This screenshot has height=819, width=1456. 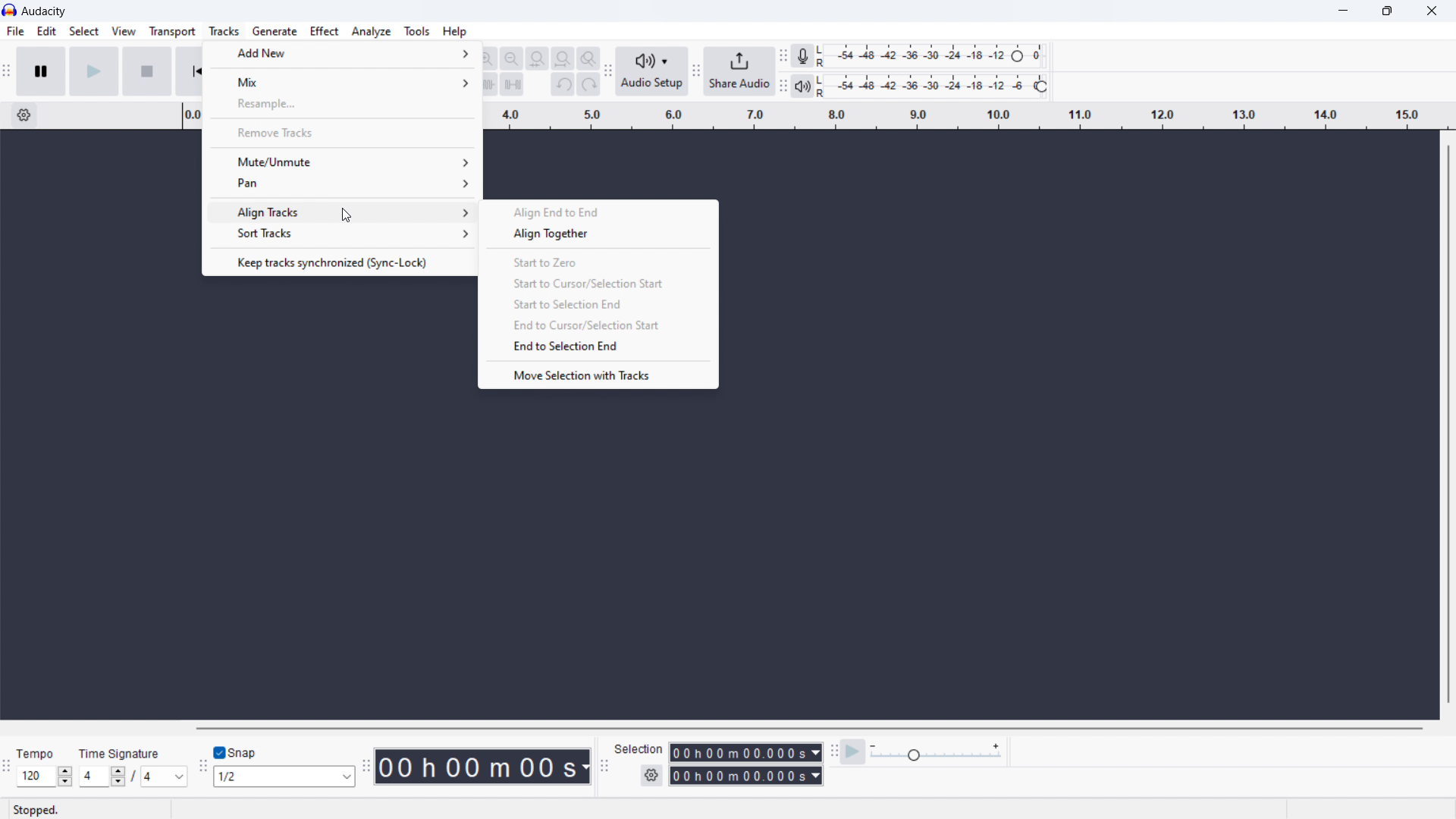 What do you see at coordinates (340, 161) in the screenshot?
I see `mute/unmute` at bounding box center [340, 161].